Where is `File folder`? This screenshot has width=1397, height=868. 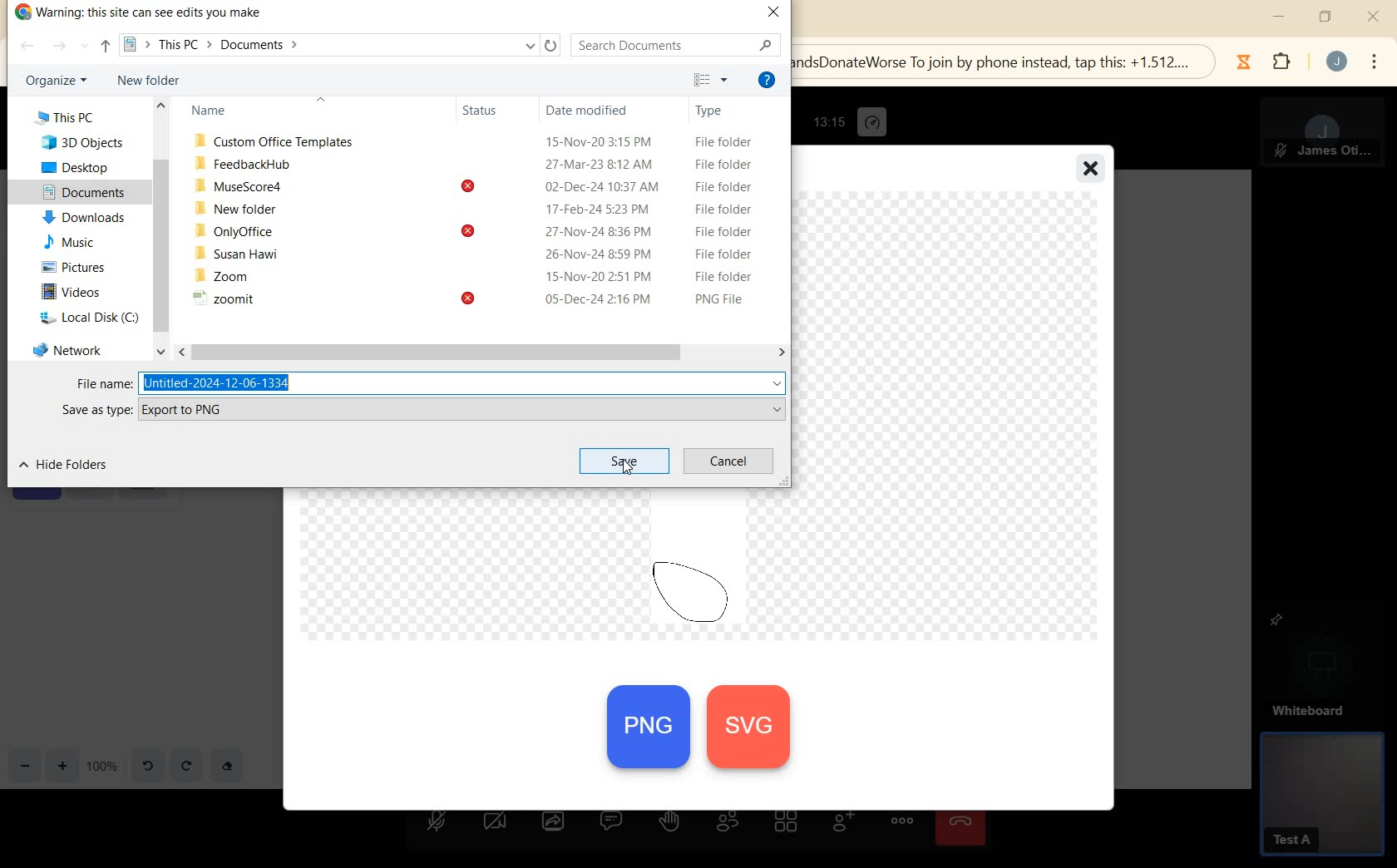
File folder is located at coordinates (728, 210).